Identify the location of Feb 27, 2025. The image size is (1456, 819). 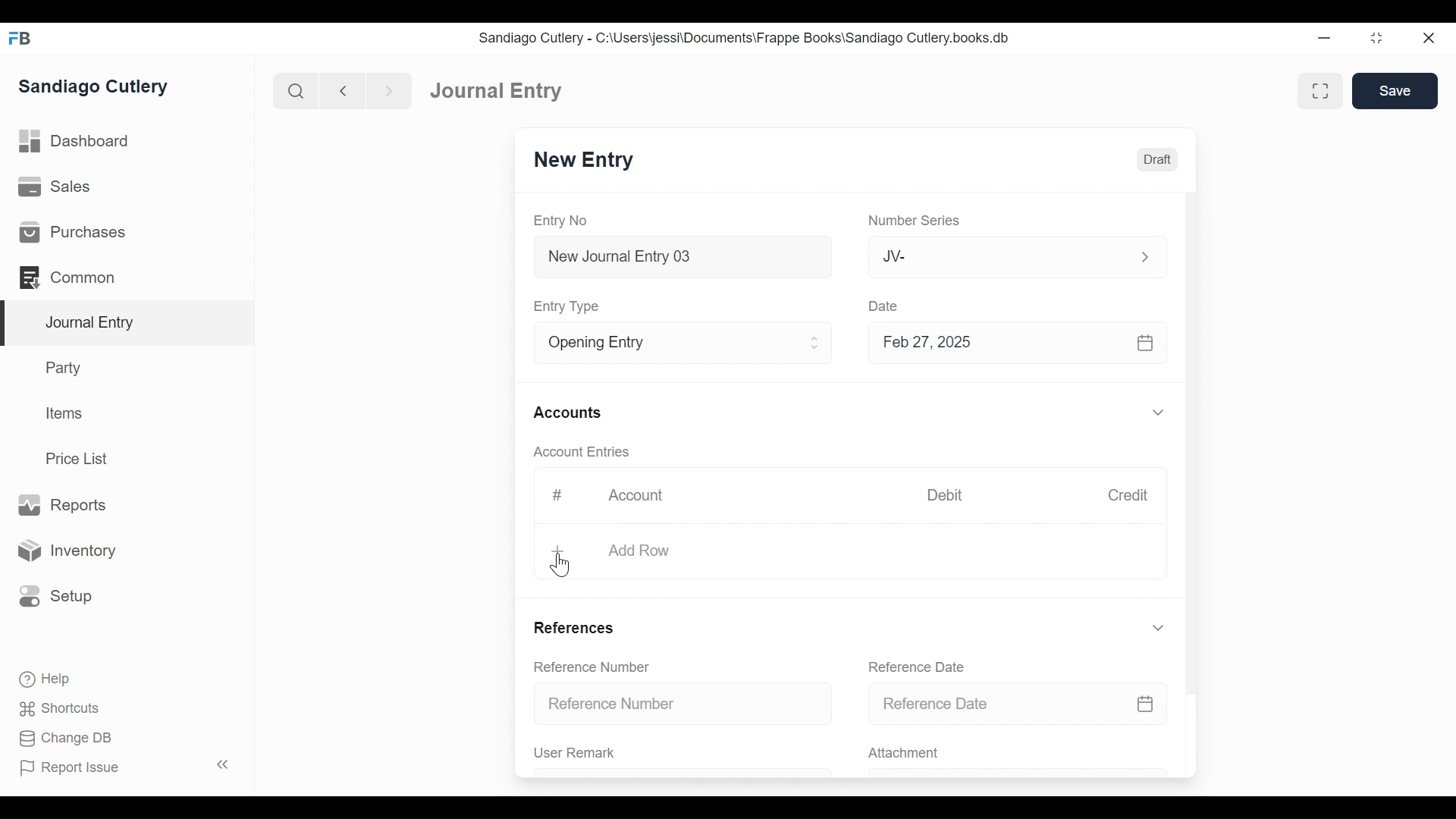
(1015, 344).